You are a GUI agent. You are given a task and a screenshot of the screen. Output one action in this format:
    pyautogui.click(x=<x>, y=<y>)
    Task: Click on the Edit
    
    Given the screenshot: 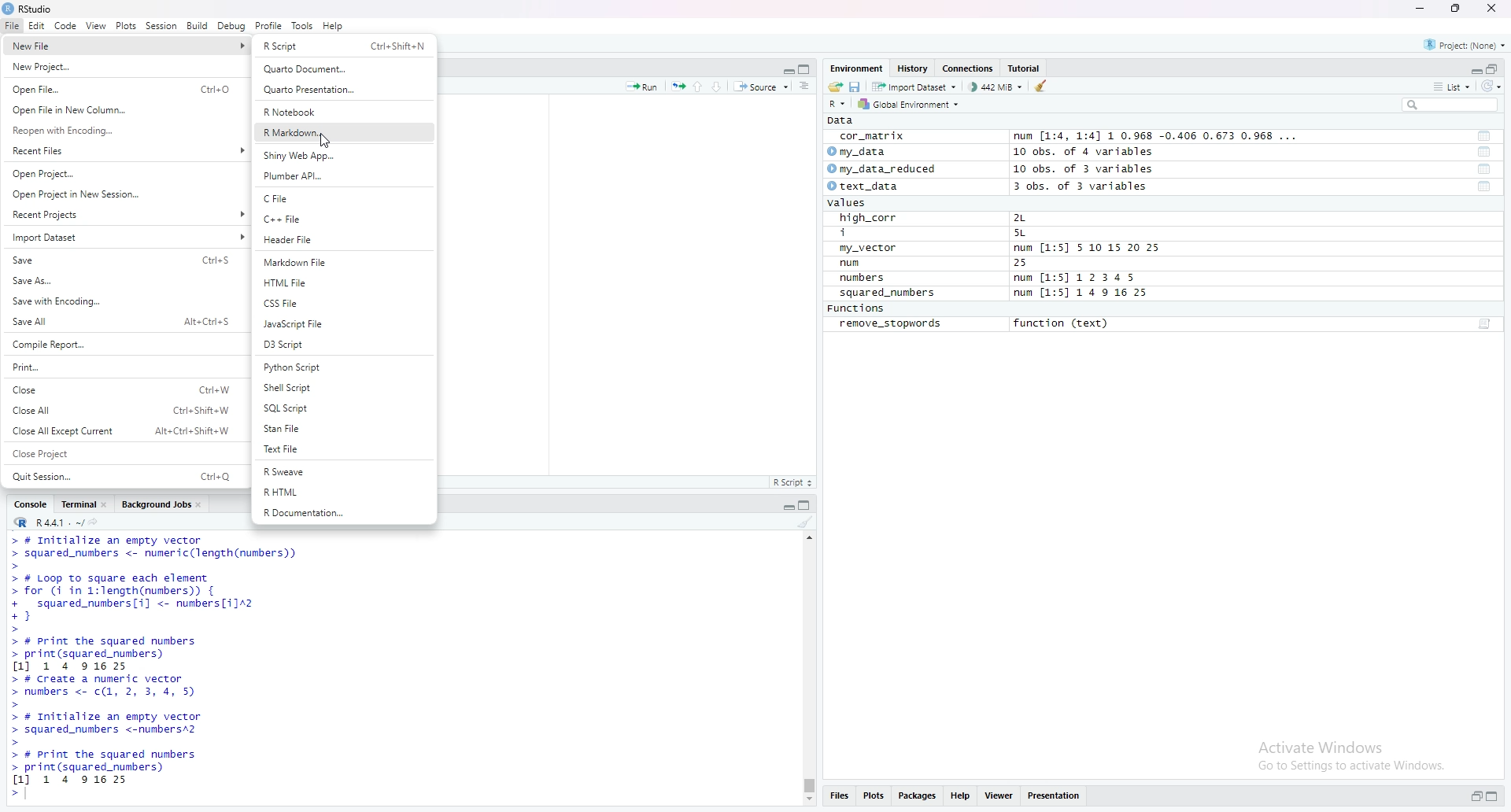 What is the action you would take?
    pyautogui.click(x=35, y=25)
    